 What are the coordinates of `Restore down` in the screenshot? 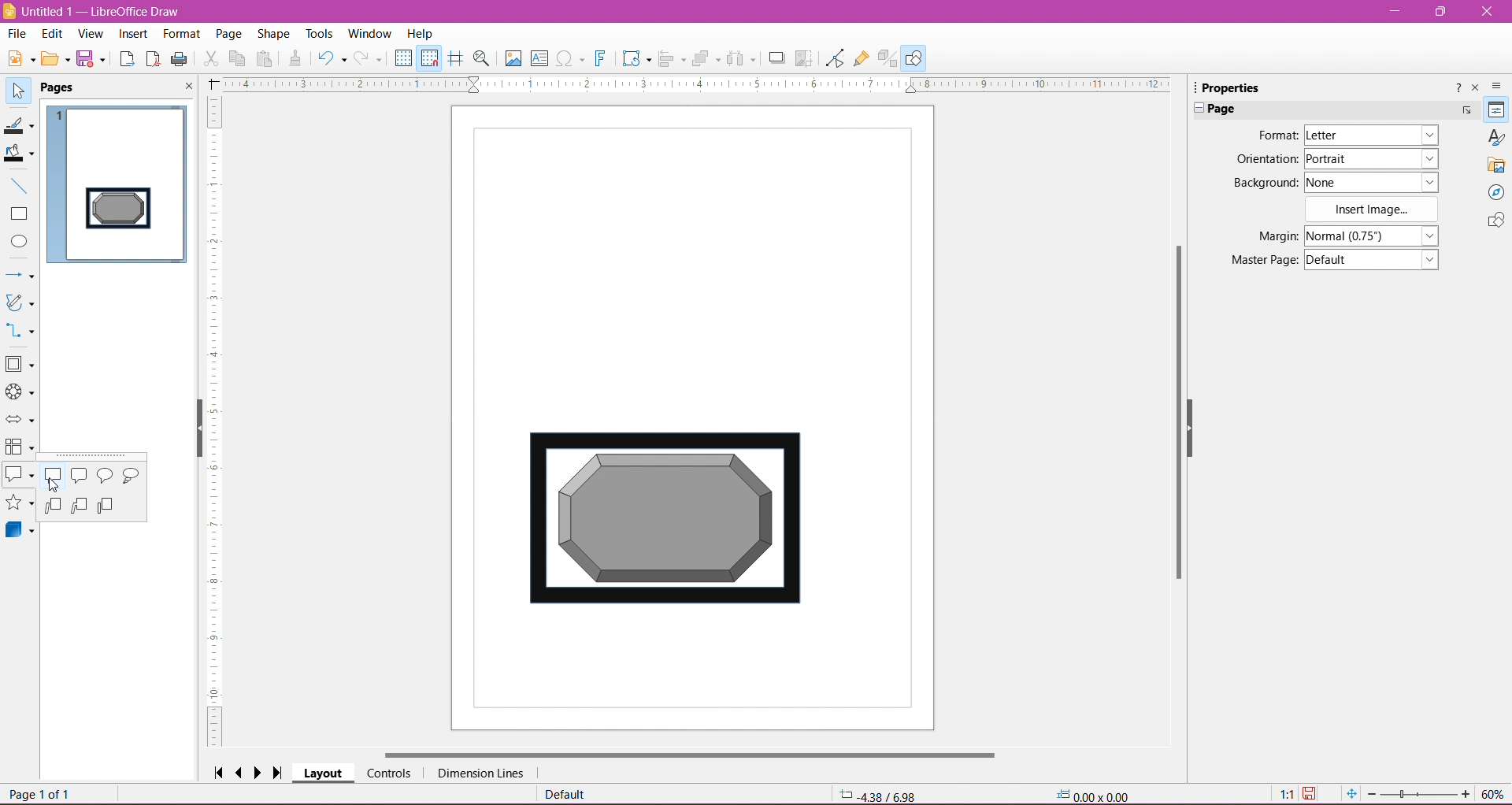 It's located at (1443, 12).